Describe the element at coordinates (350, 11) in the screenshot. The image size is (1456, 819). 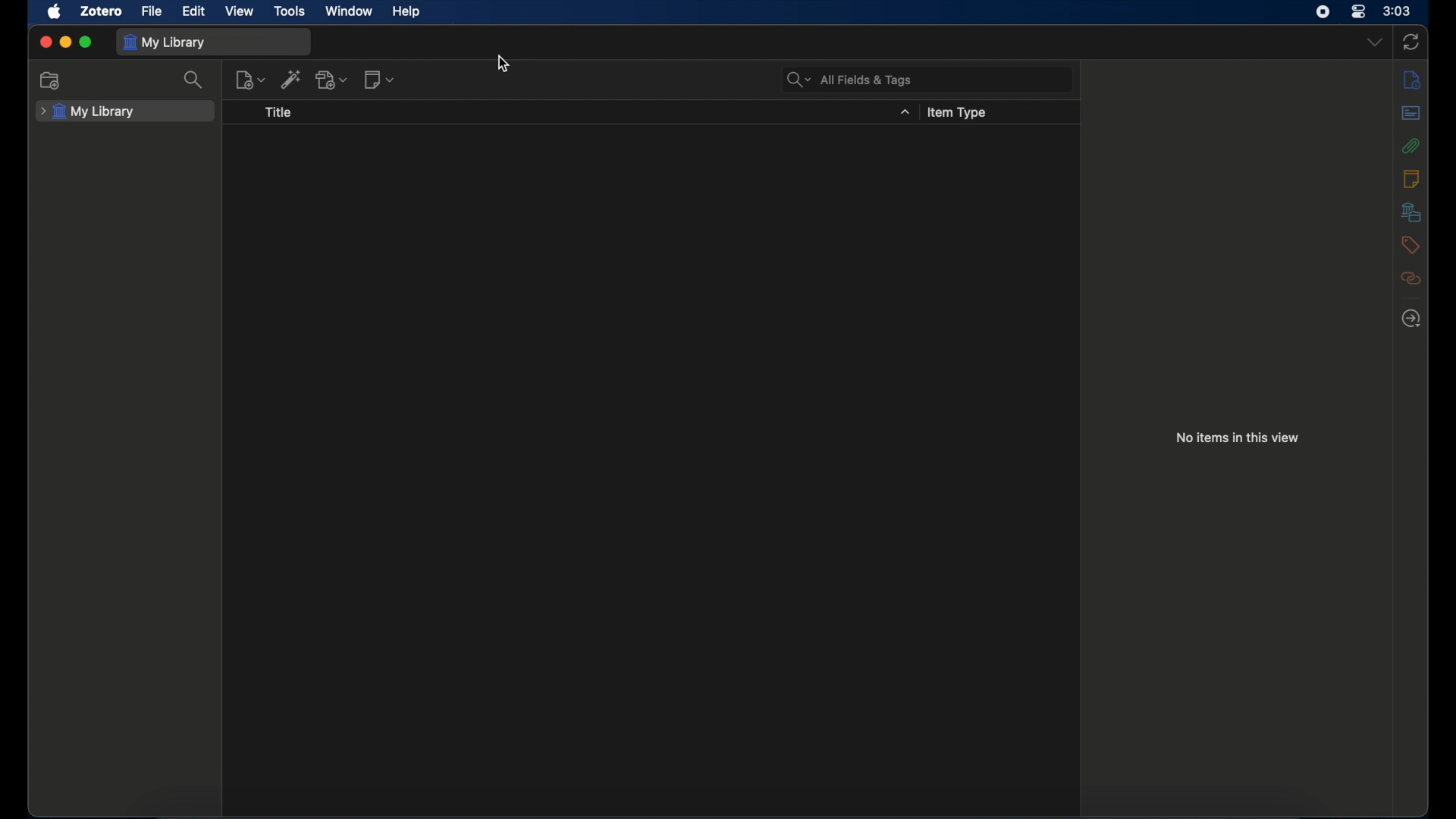
I see `window` at that location.